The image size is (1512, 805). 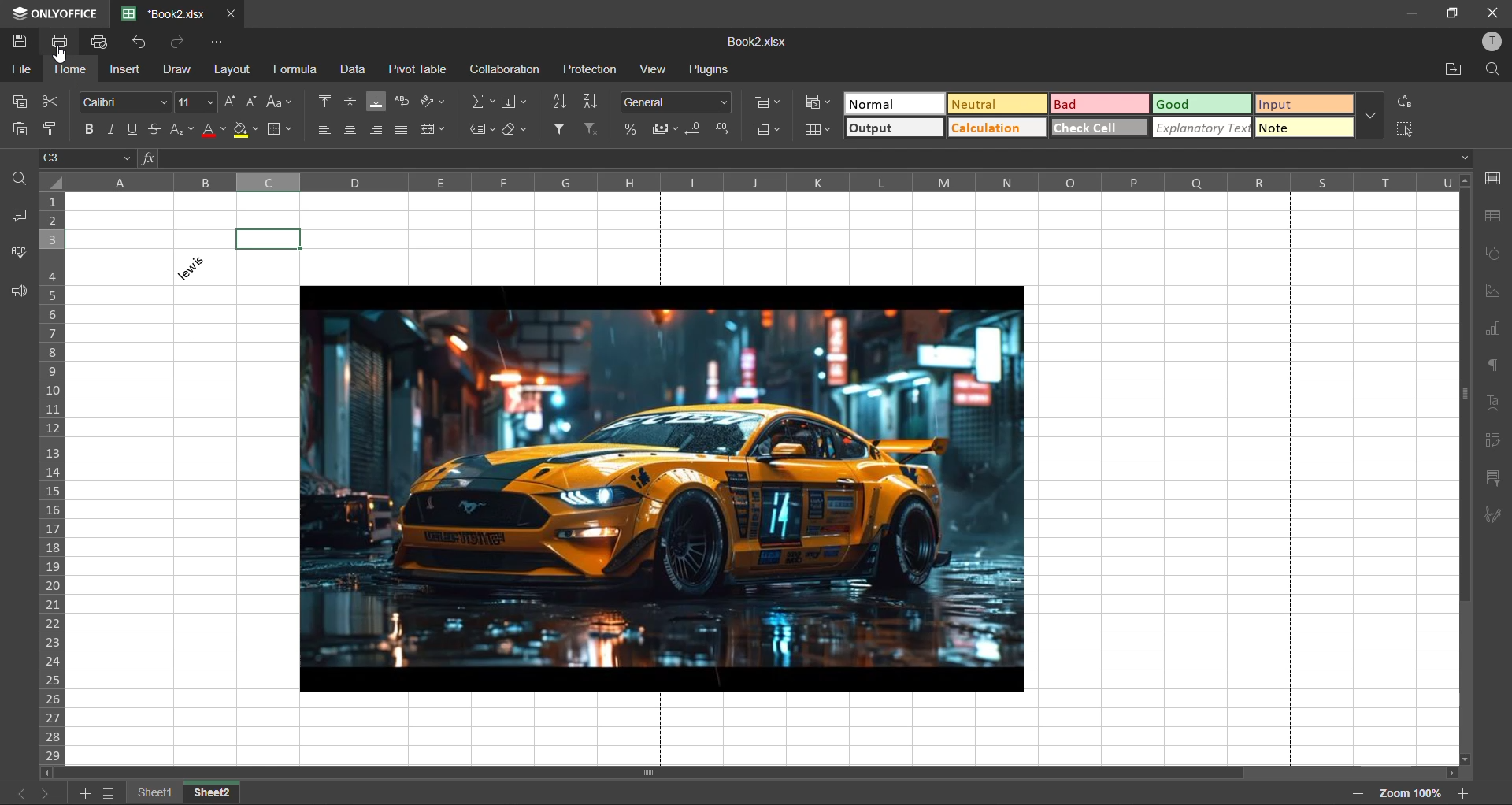 What do you see at coordinates (100, 41) in the screenshot?
I see `quick print` at bounding box center [100, 41].